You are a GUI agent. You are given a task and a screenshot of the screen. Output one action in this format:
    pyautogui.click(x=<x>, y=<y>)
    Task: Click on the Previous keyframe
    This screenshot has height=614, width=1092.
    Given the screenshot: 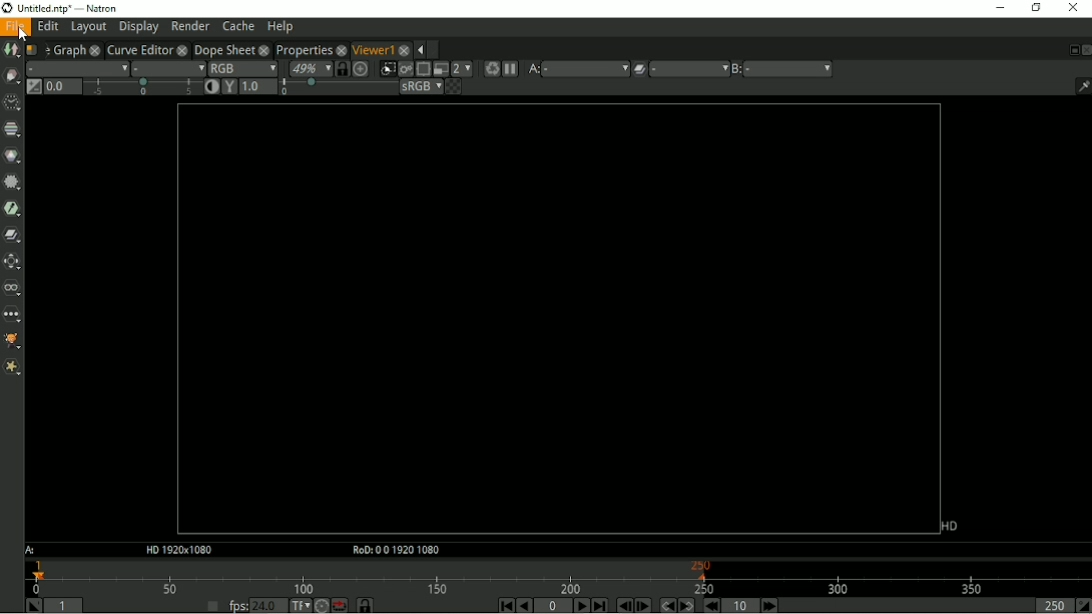 What is the action you would take?
    pyautogui.click(x=665, y=605)
    